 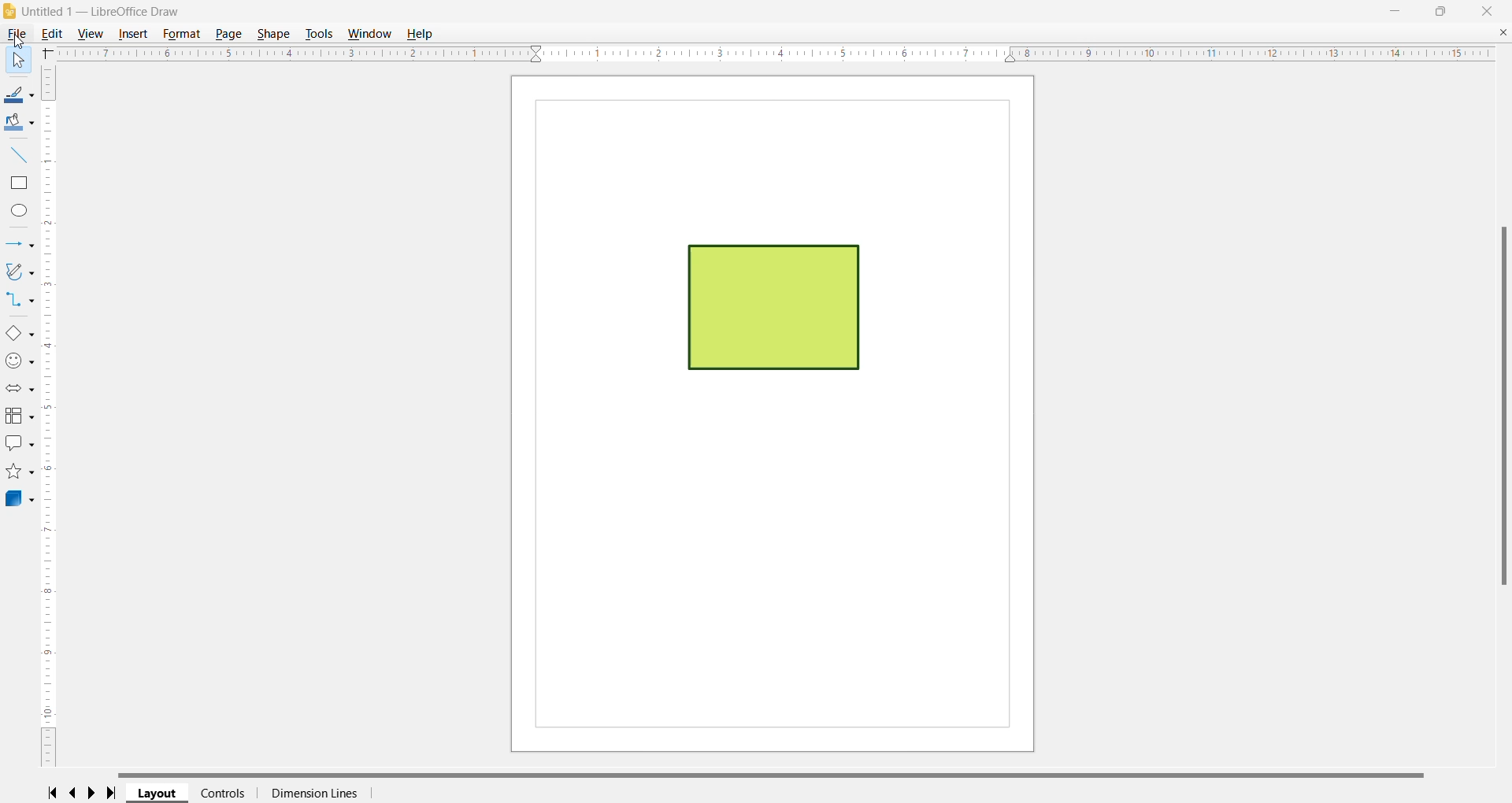 What do you see at coordinates (106, 12) in the screenshot?
I see `Document Title - Application Name` at bounding box center [106, 12].